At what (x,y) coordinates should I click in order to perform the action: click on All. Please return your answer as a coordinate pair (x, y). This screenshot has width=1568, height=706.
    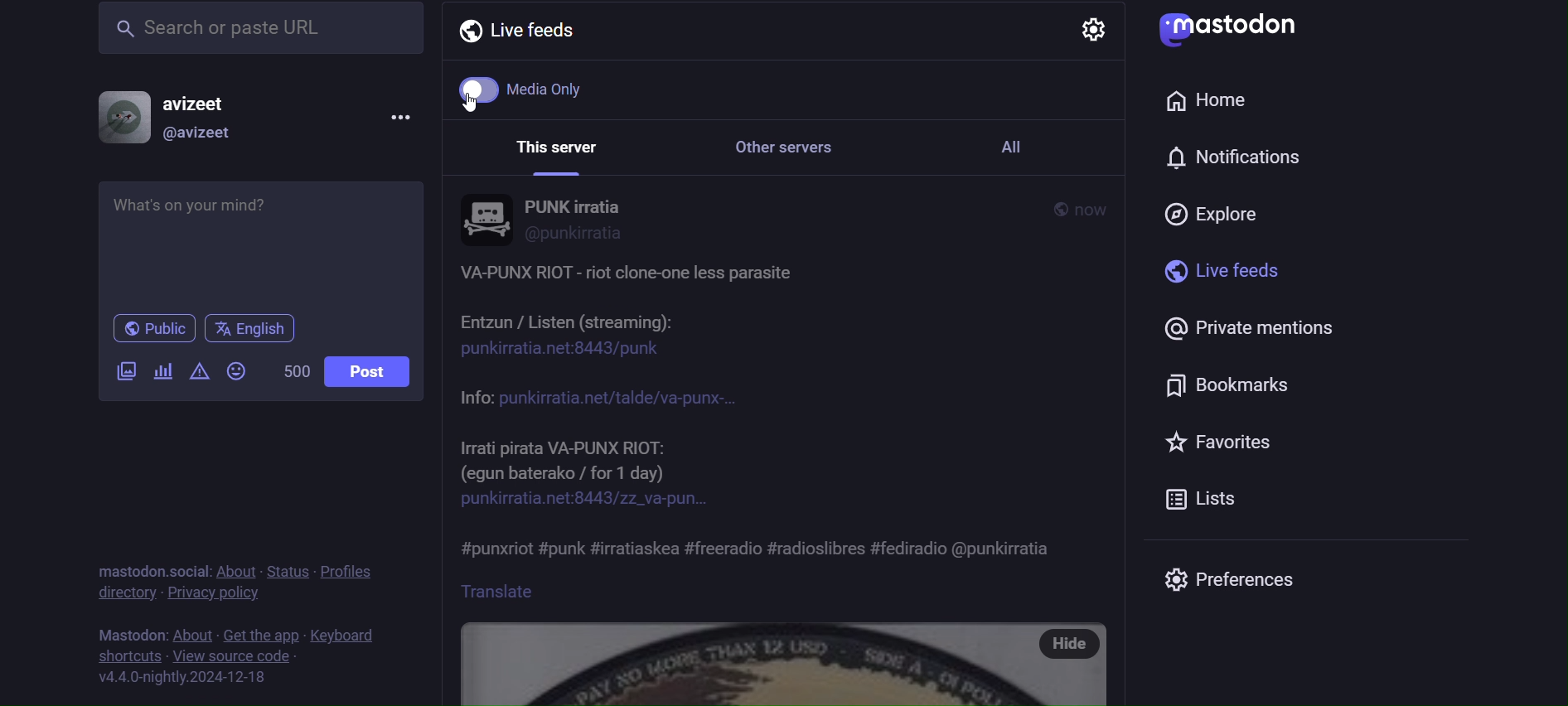
    Looking at the image, I should click on (1035, 147).